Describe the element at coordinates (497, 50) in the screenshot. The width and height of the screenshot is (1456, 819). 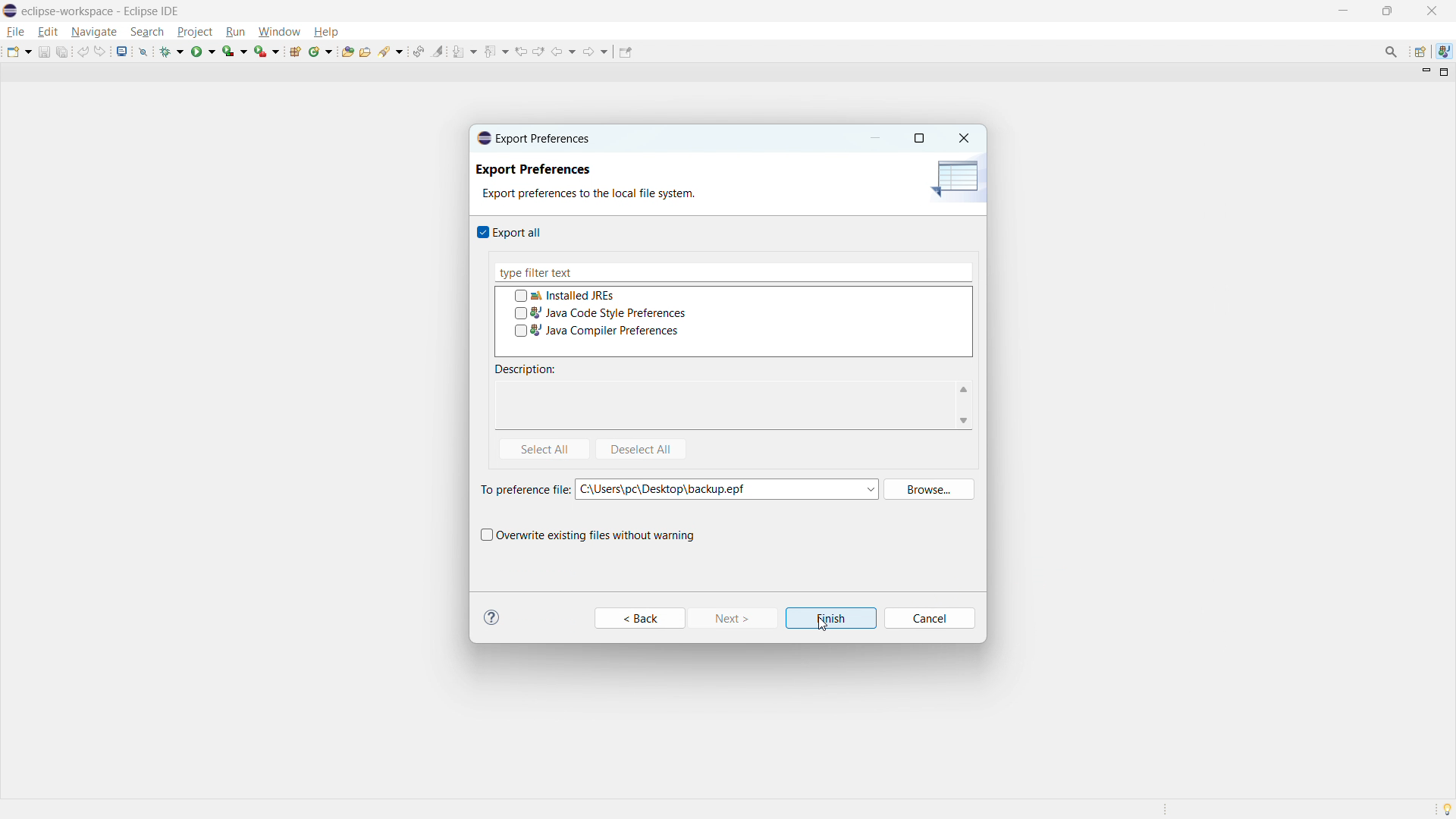
I see `previous annotation` at that location.